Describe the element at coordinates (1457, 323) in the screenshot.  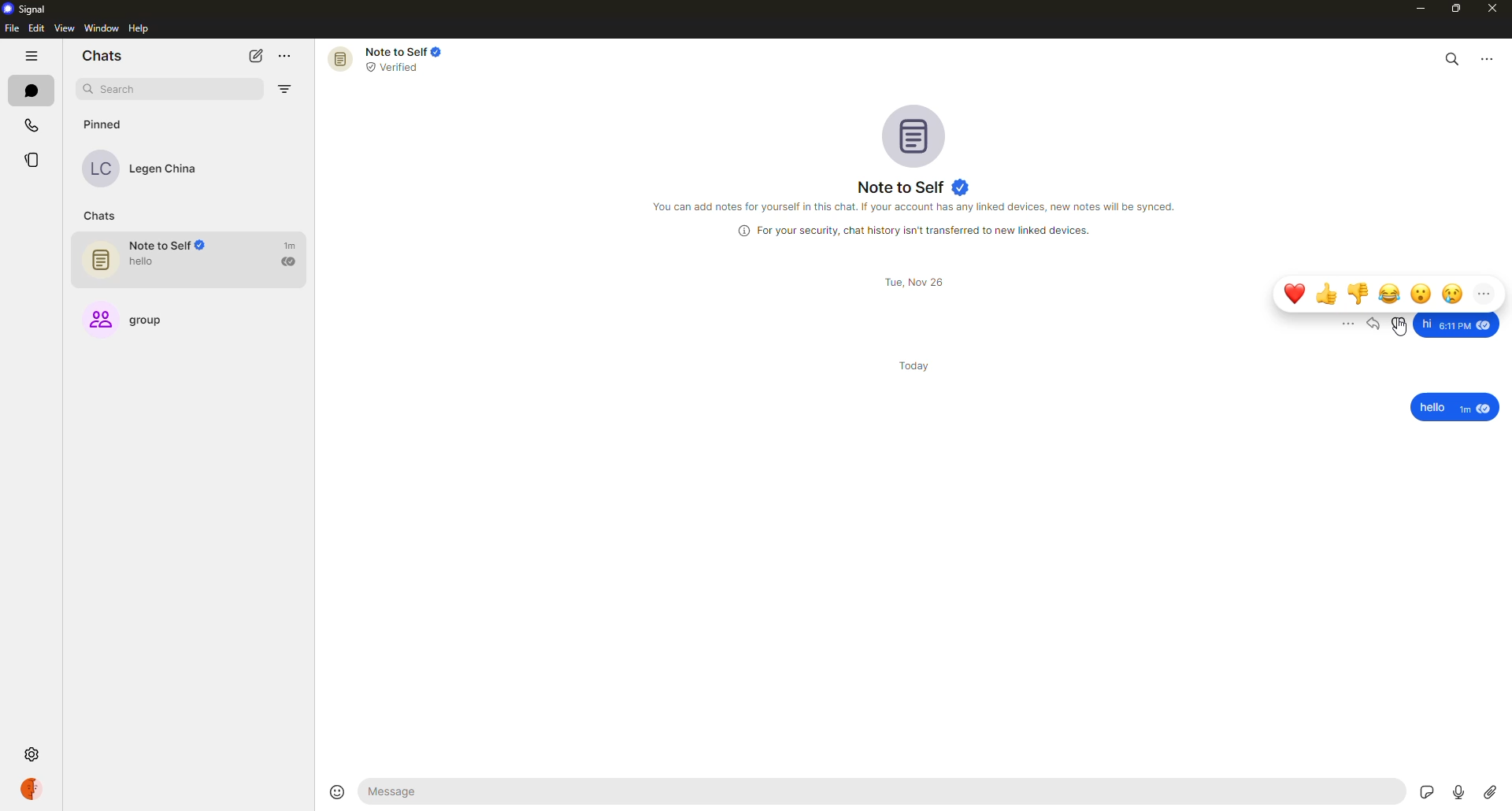
I see `message` at that location.